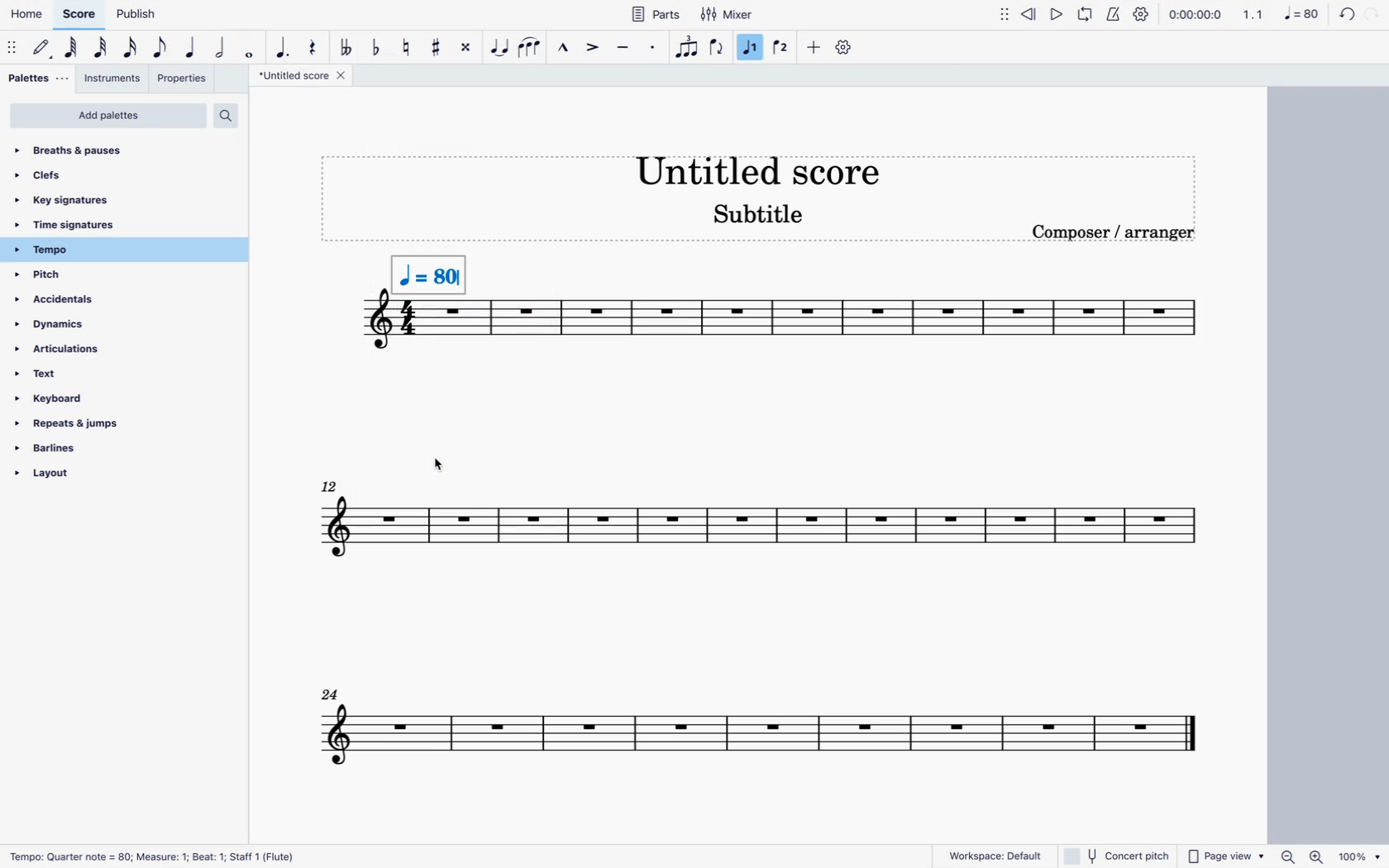  I want to click on toggle natural, so click(405, 46).